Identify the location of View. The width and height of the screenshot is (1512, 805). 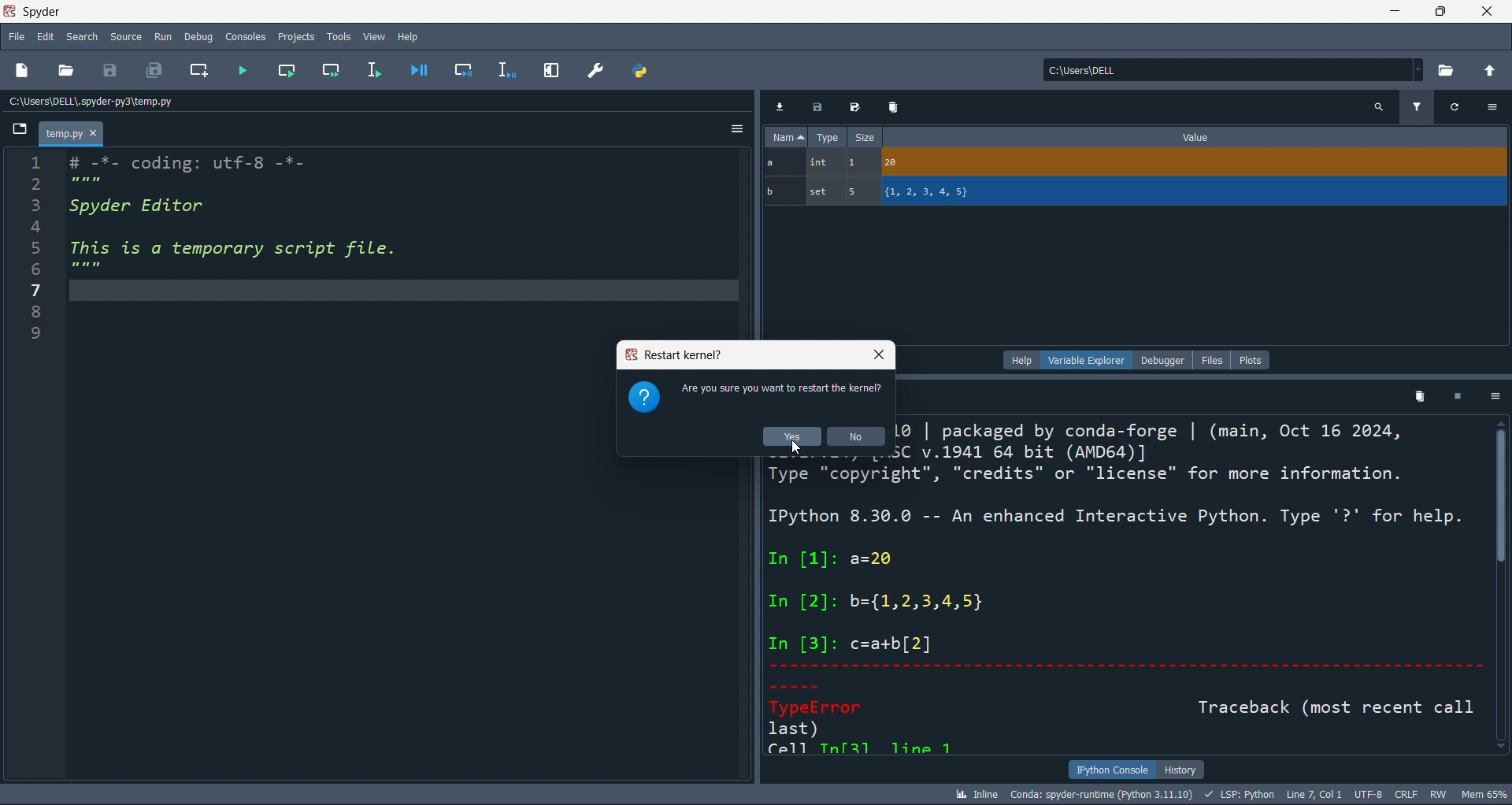
(372, 37).